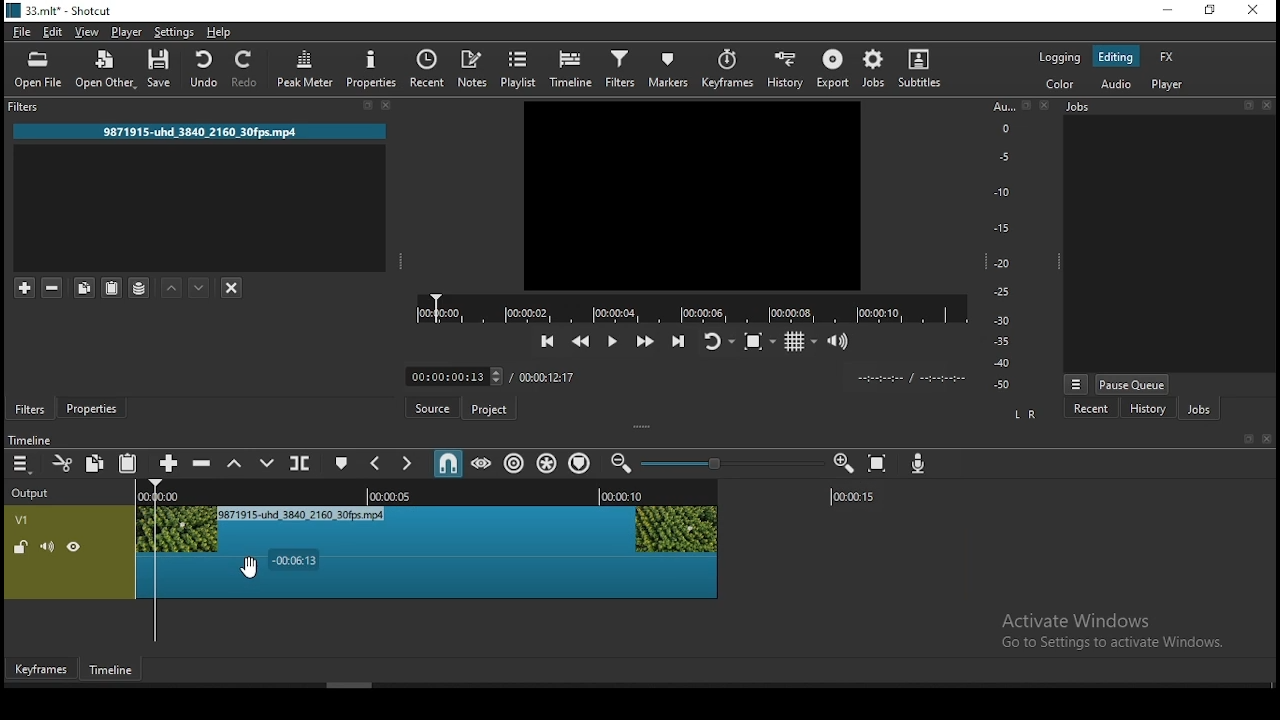  What do you see at coordinates (61, 463) in the screenshot?
I see `cut` at bounding box center [61, 463].